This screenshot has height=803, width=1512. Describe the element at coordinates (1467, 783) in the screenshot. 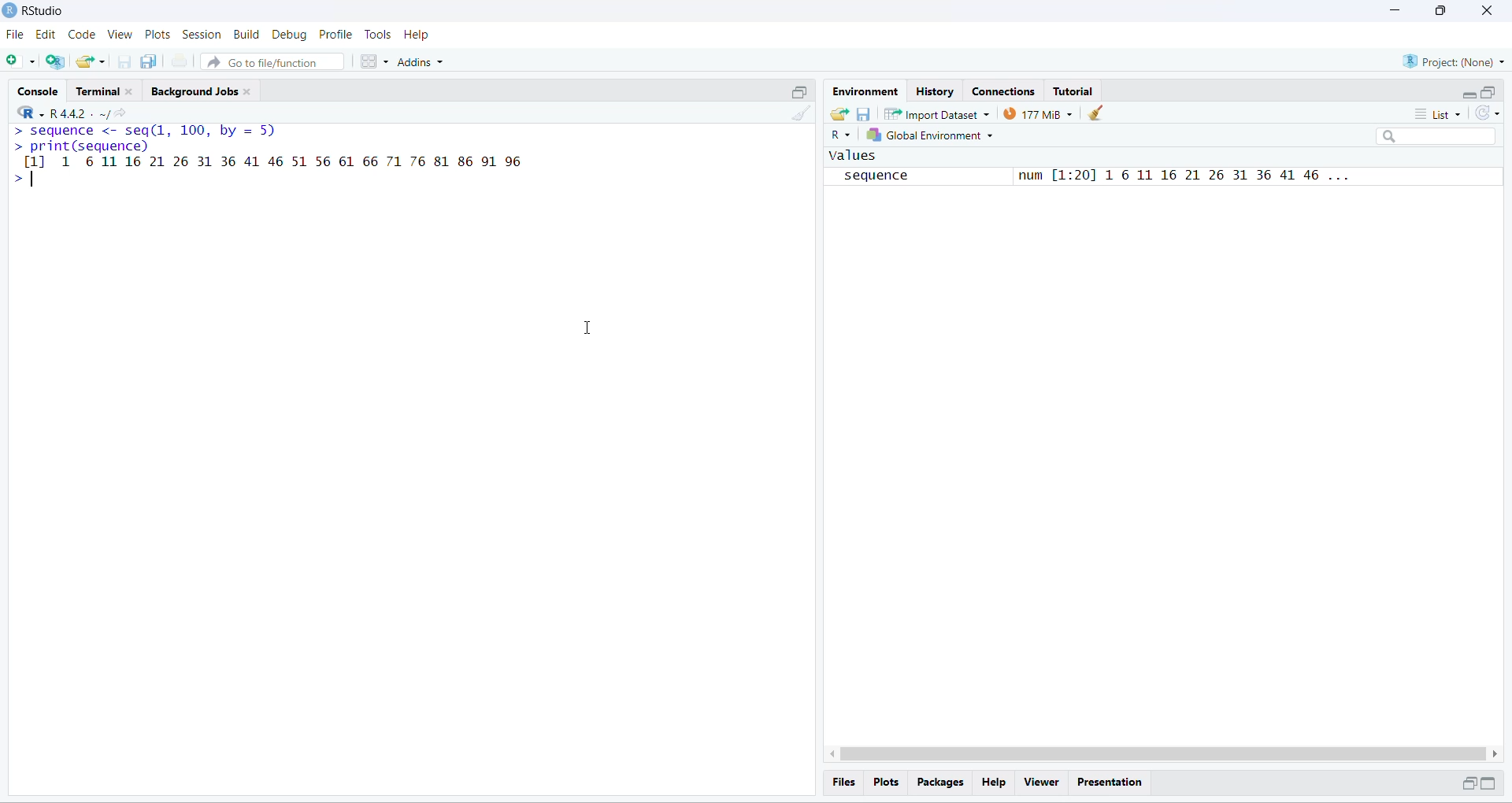

I see `open in separate window` at that location.